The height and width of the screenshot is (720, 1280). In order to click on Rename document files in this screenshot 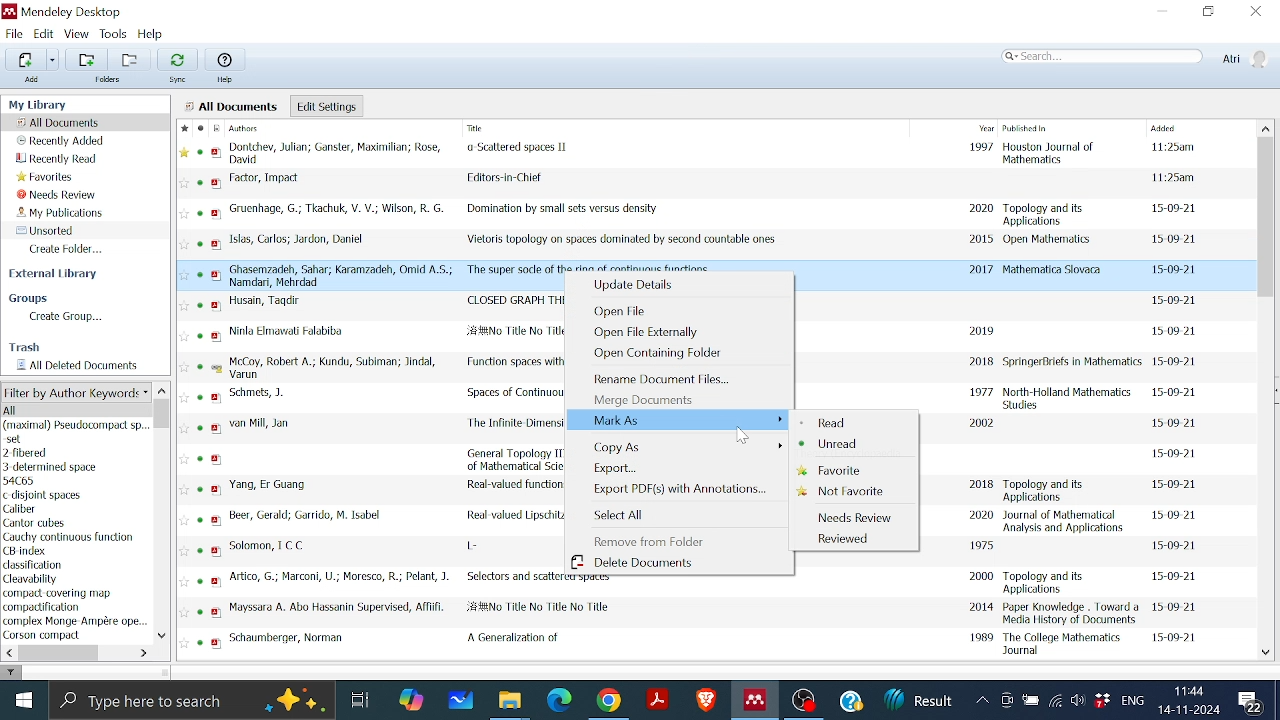, I will do `click(661, 378)`.